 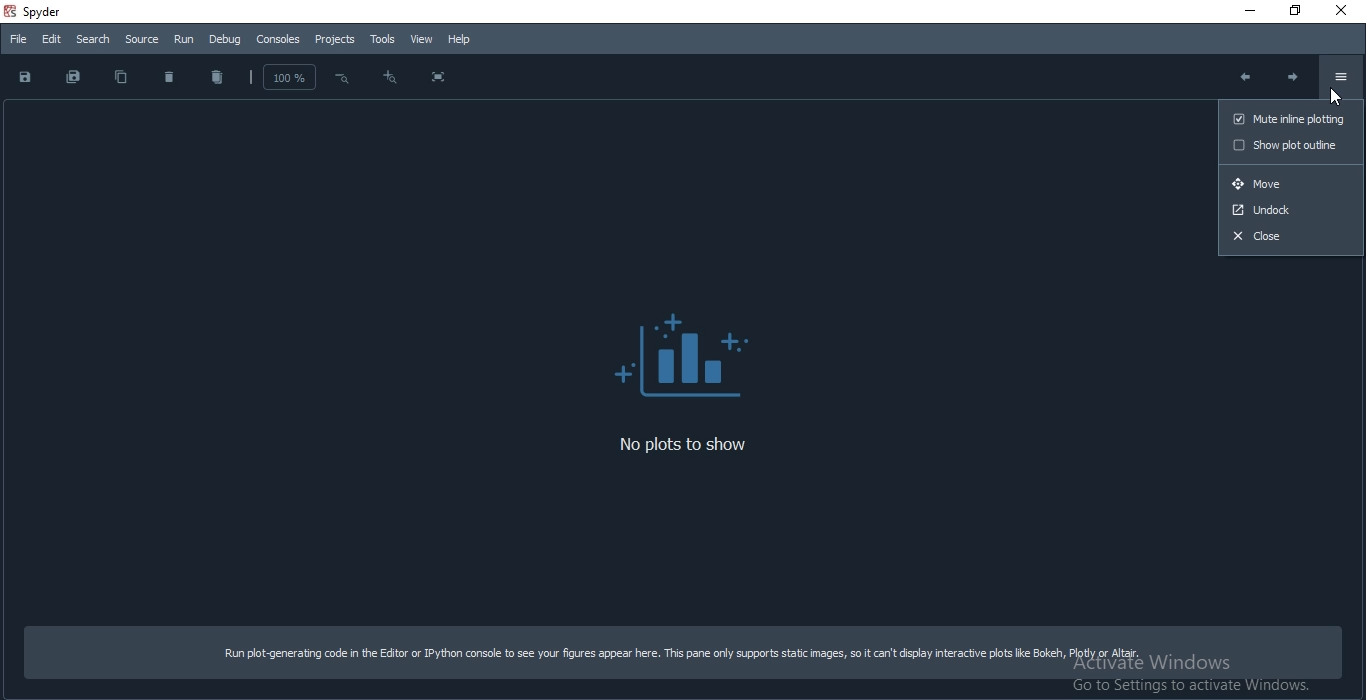 I want to click on Zoom in, so click(x=342, y=79).